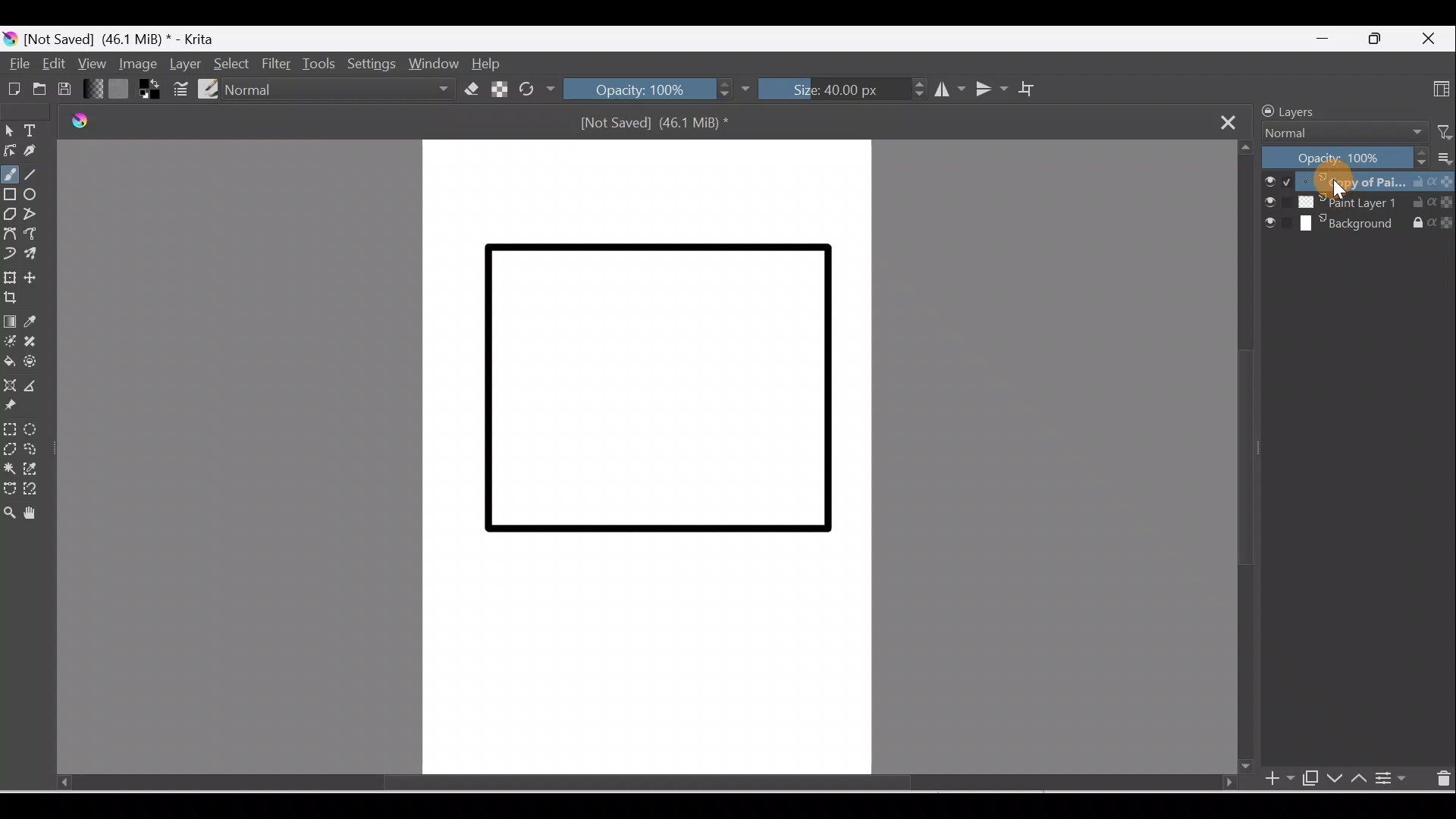 The image size is (1456, 819). What do you see at coordinates (9, 362) in the screenshot?
I see `Fill a contiguous area of colour with colour/fill a selection` at bounding box center [9, 362].